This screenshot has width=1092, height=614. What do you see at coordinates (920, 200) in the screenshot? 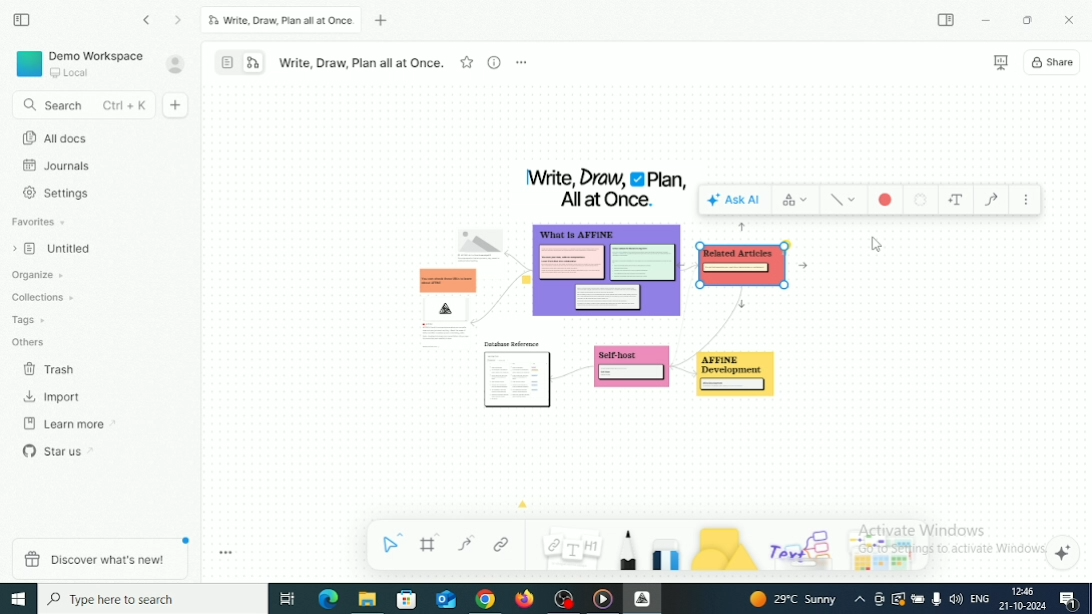
I see `Border  style` at bounding box center [920, 200].